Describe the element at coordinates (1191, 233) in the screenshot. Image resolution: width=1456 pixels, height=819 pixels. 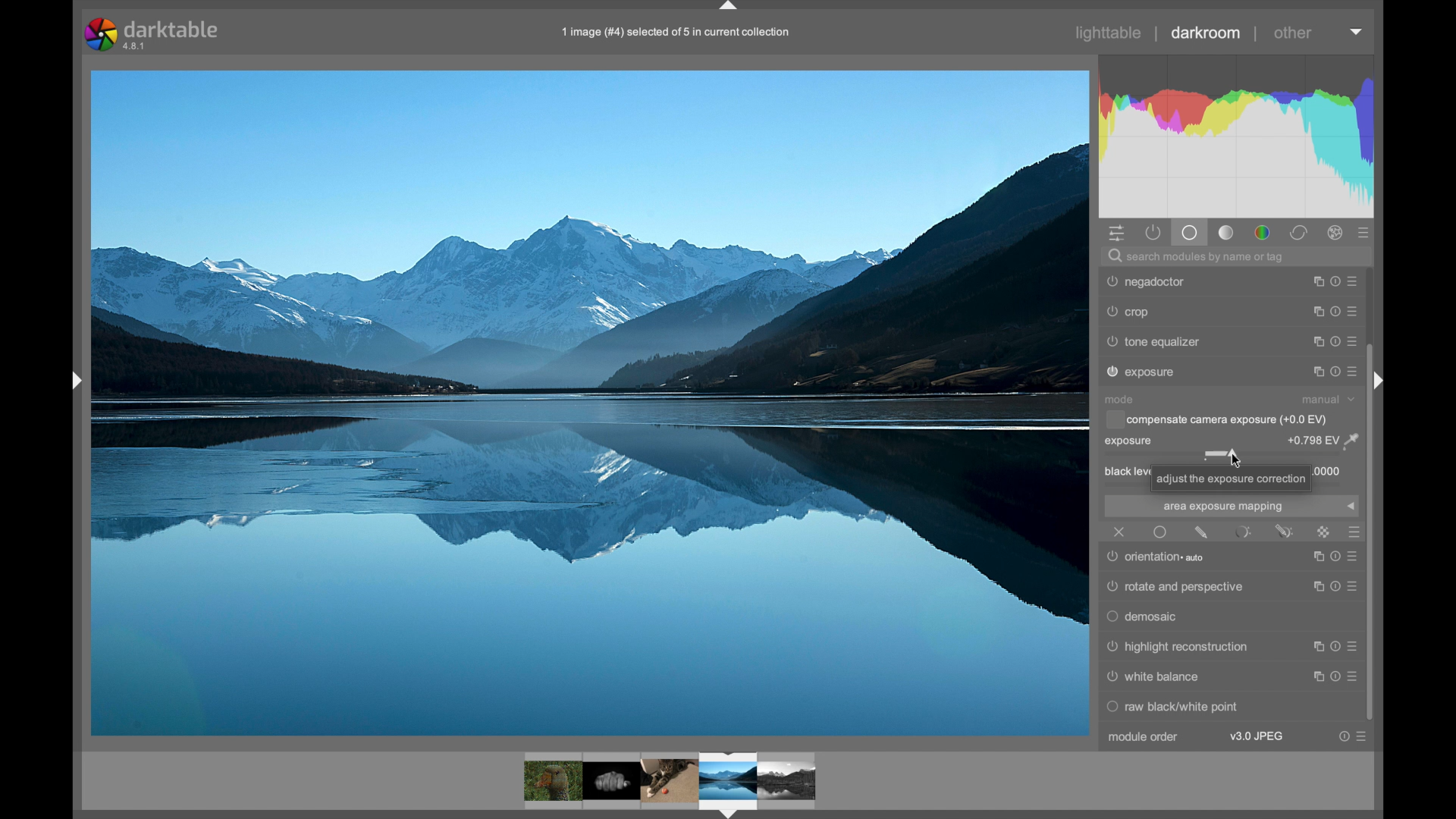
I see `base` at that location.